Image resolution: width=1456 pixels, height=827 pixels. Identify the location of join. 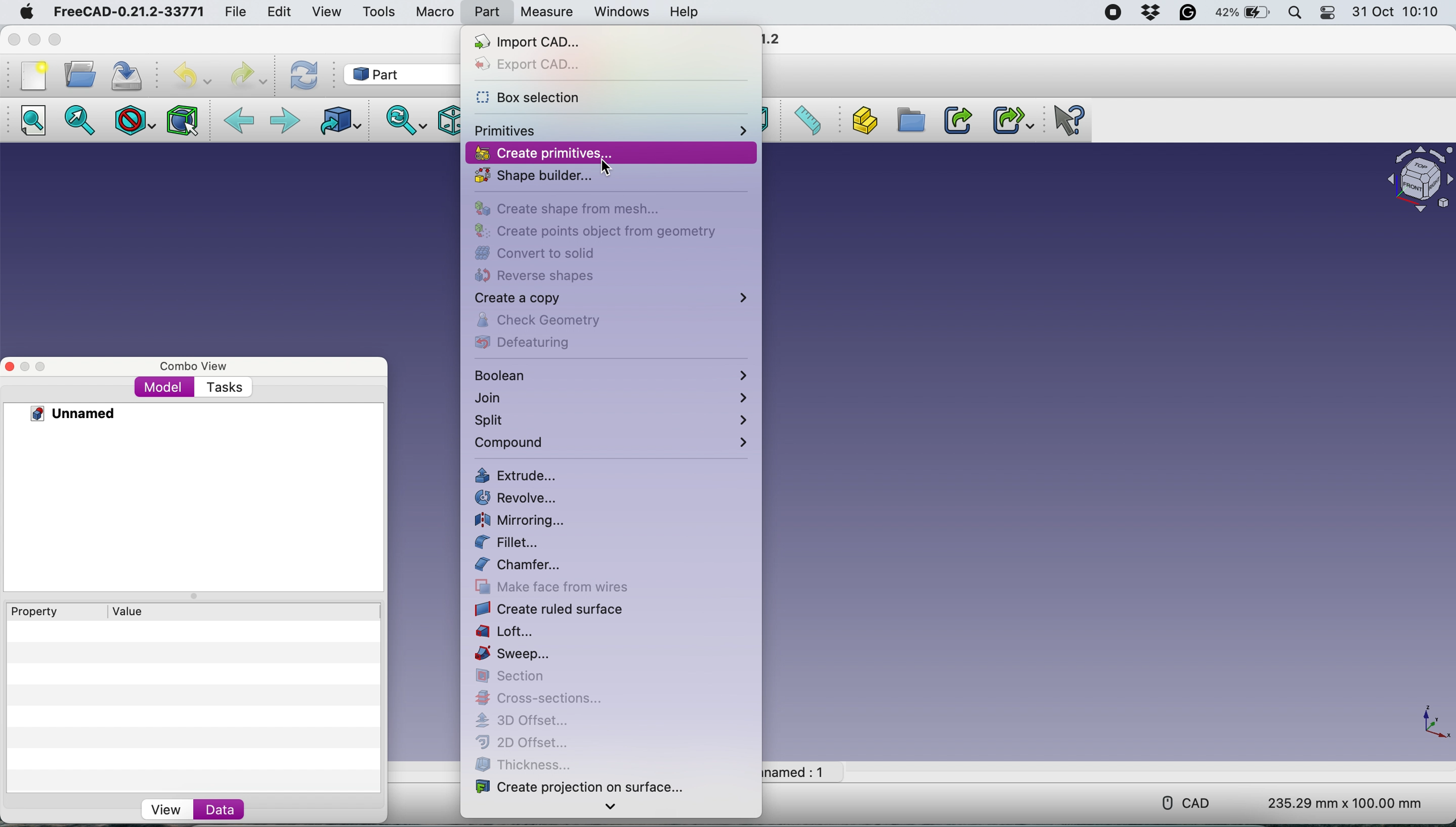
(614, 398).